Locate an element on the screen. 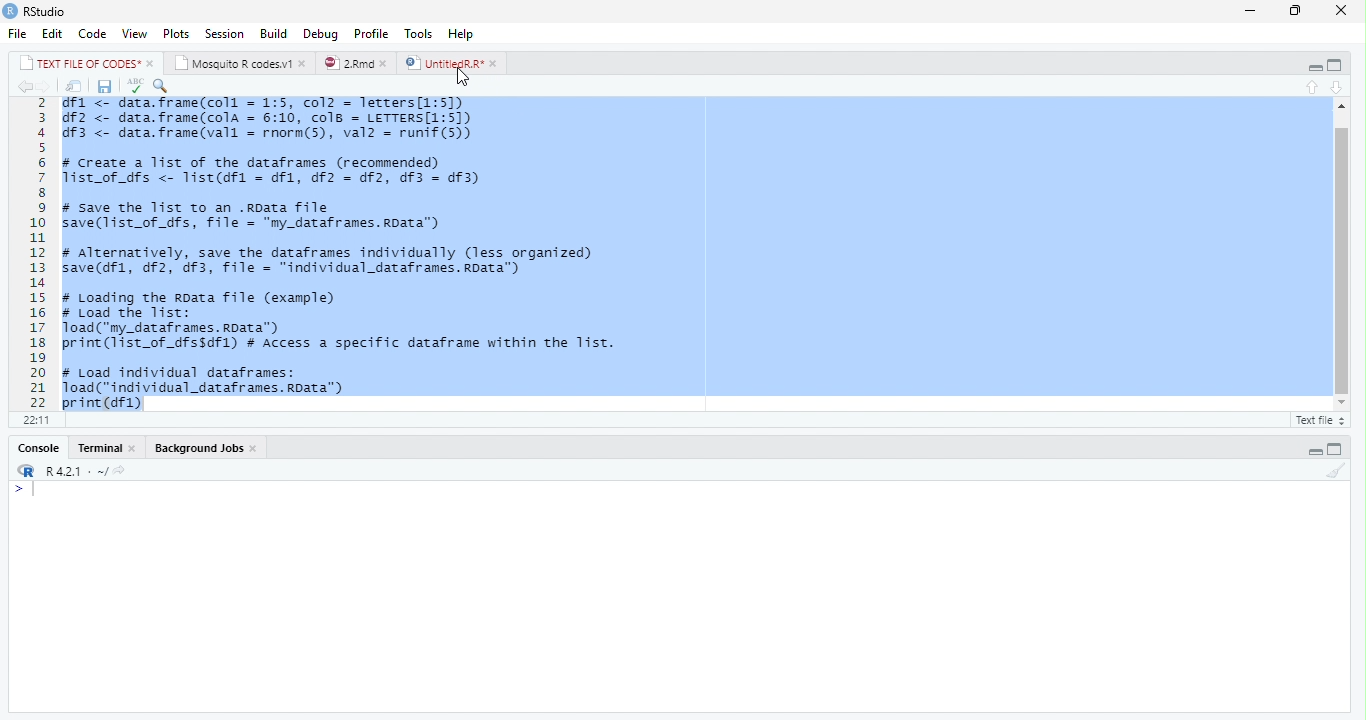  Save is located at coordinates (105, 87).